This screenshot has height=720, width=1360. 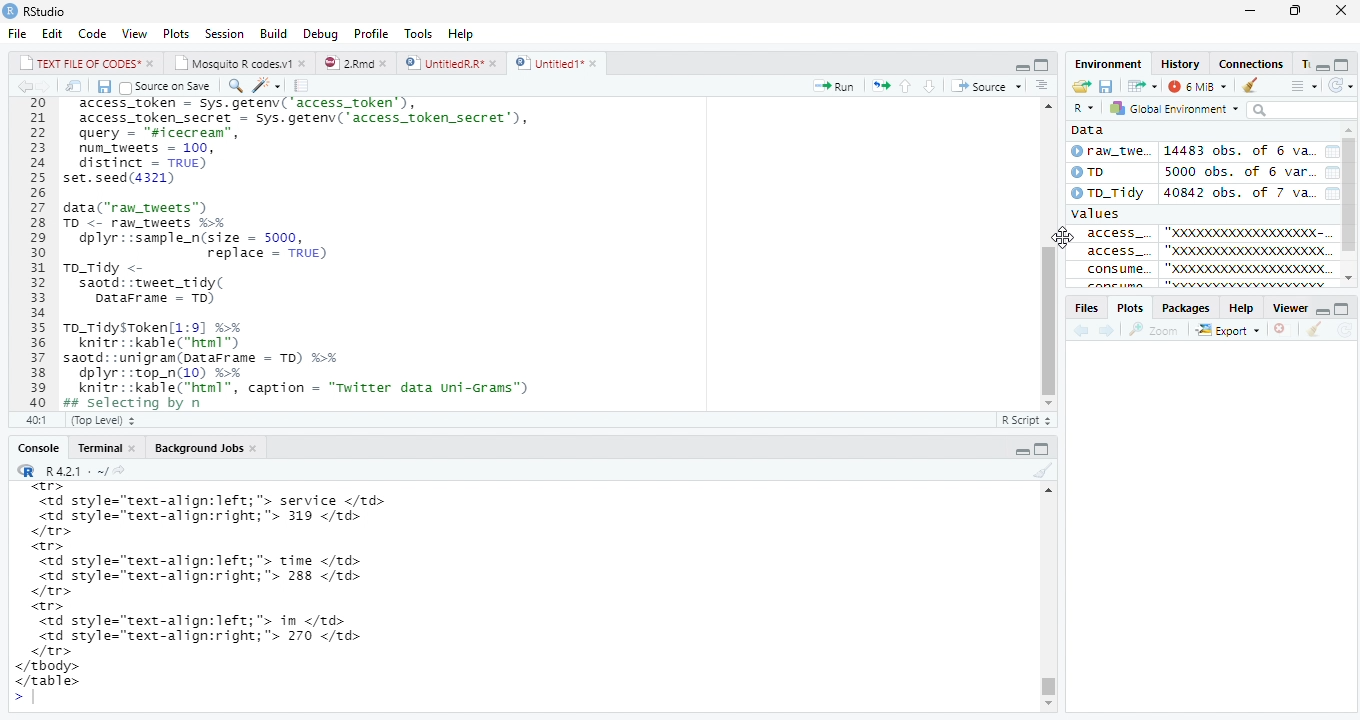 I want to click on Run, so click(x=833, y=85).